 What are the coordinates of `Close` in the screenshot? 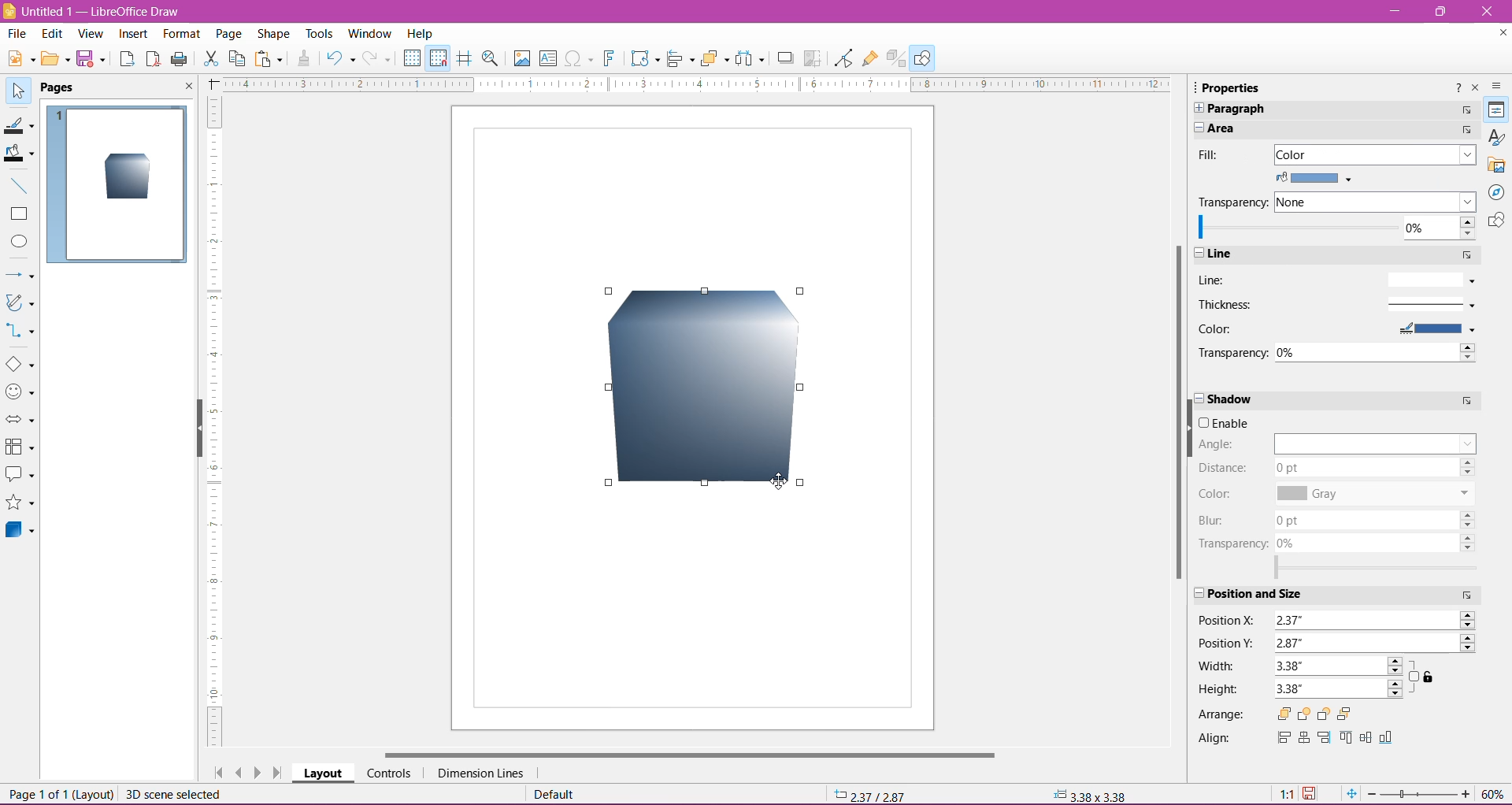 It's located at (1488, 12).